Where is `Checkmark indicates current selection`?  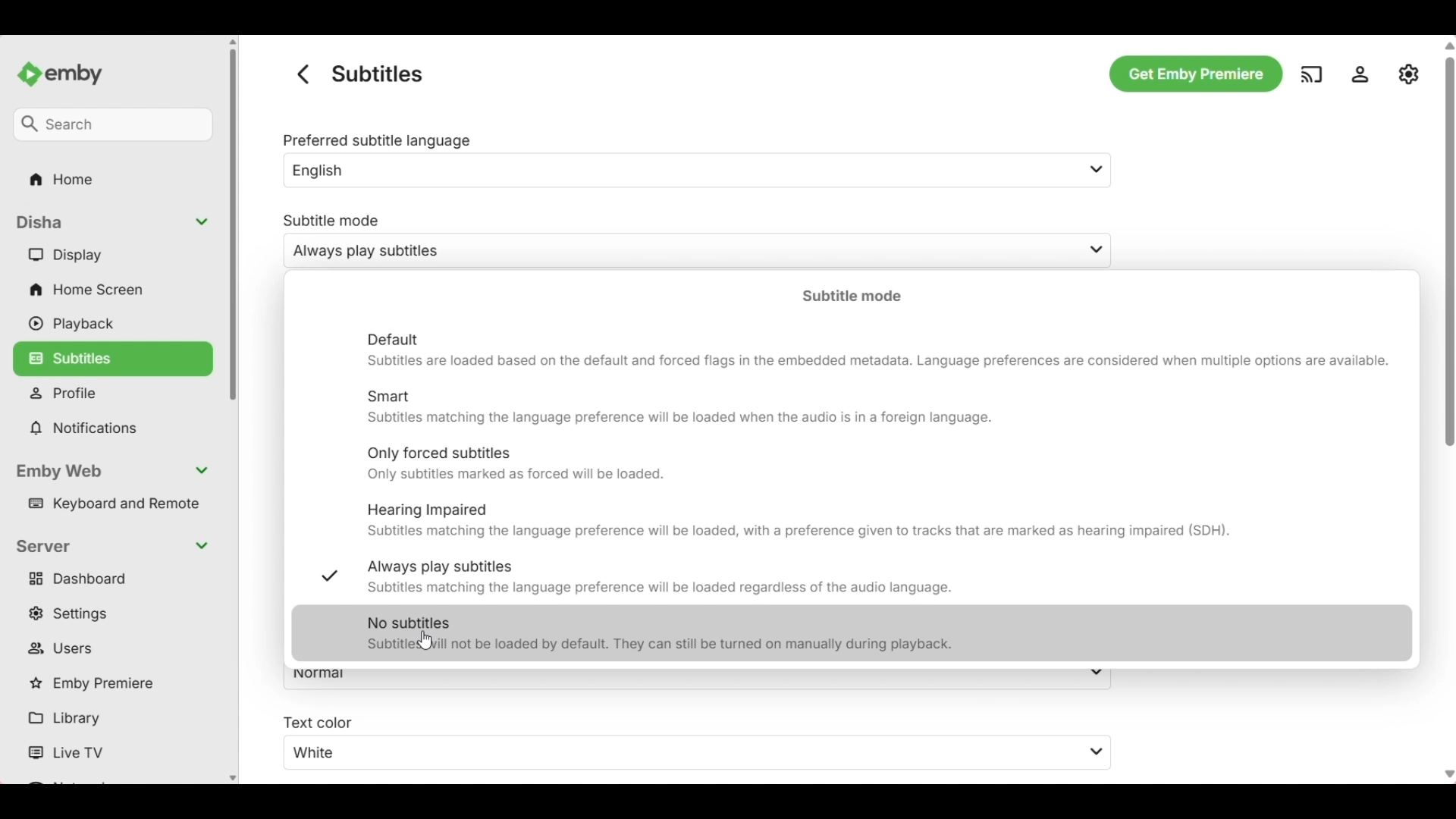 Checkmark indicates current selection is located at coordinates (328, 576).